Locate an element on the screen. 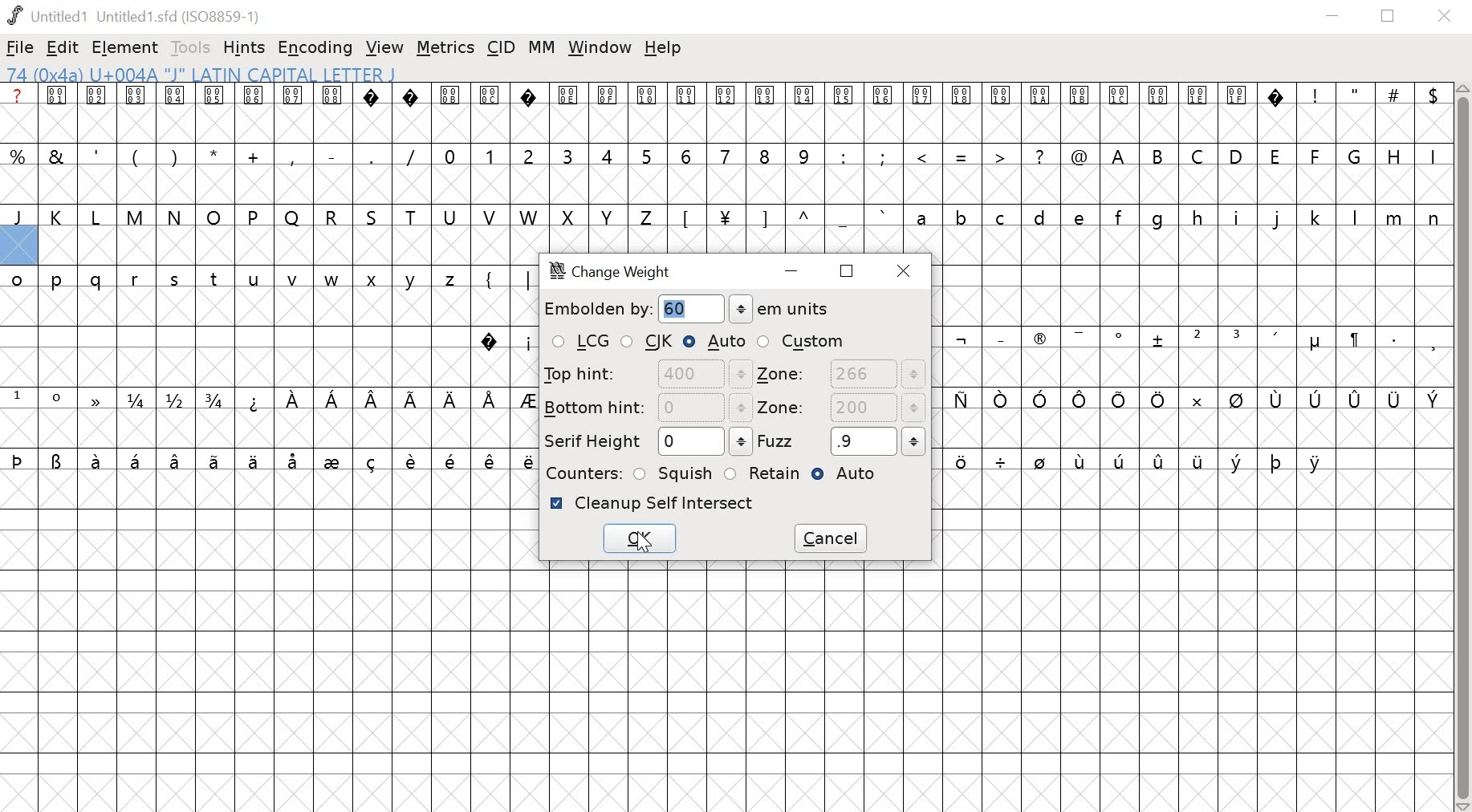 This screenshot has width=1472, height=812. embolden by 60 is located at coordinates (674, 311).